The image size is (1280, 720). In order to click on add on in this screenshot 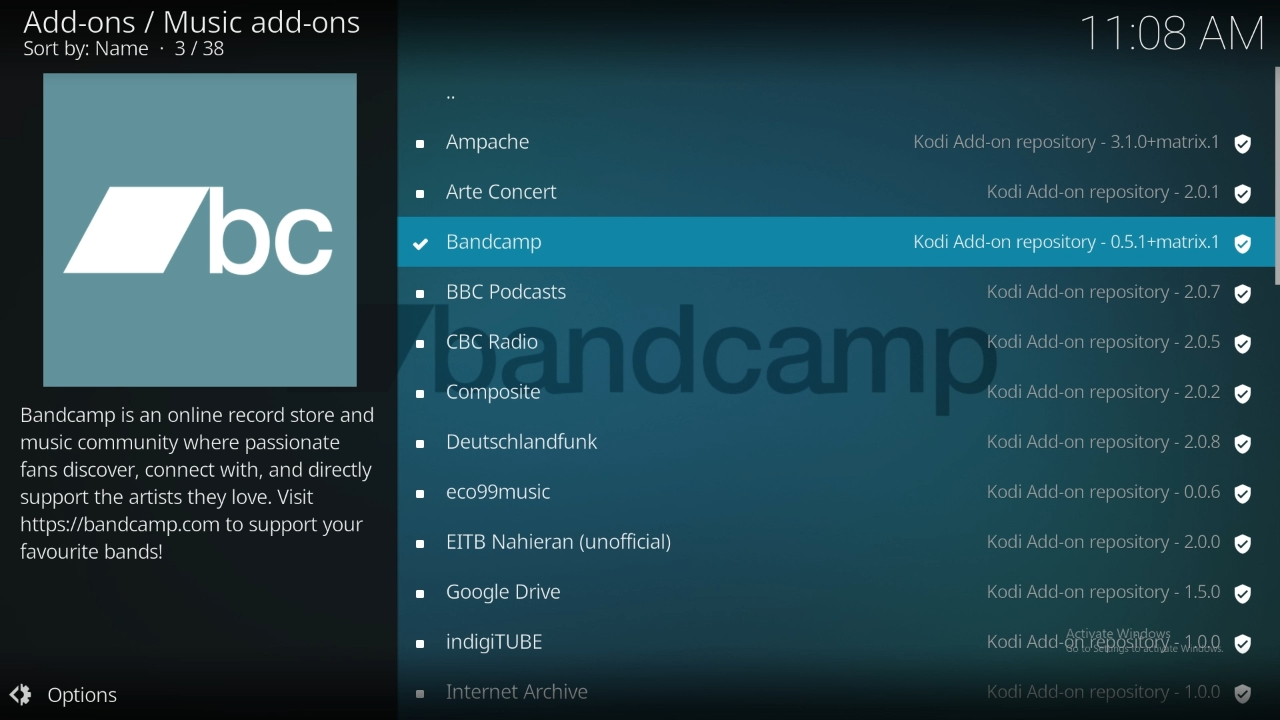, I will do `click(833, 541)`.